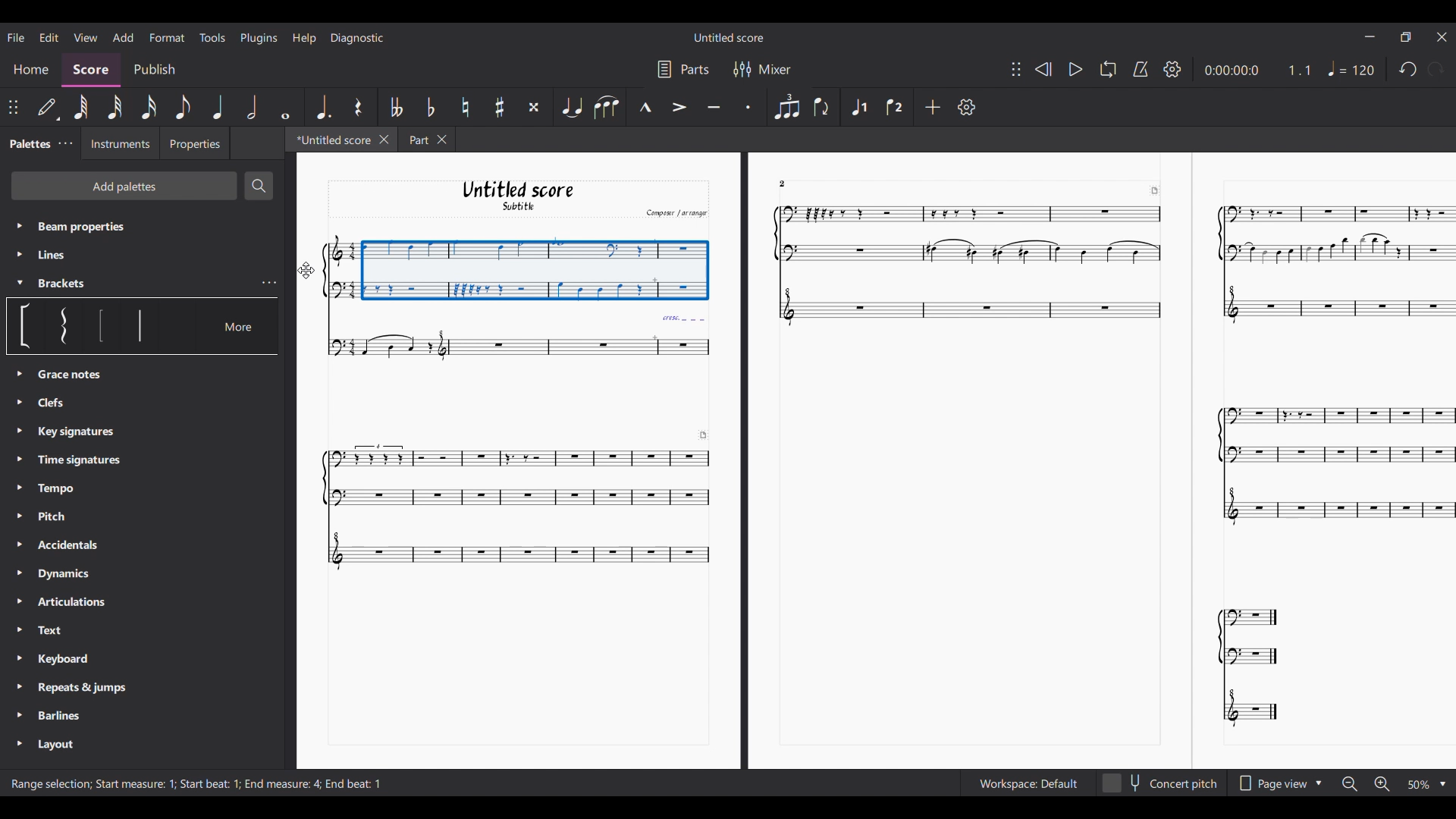 This screenshot has height=819, width=1456. I want to click on Half note, so click(253, 107).